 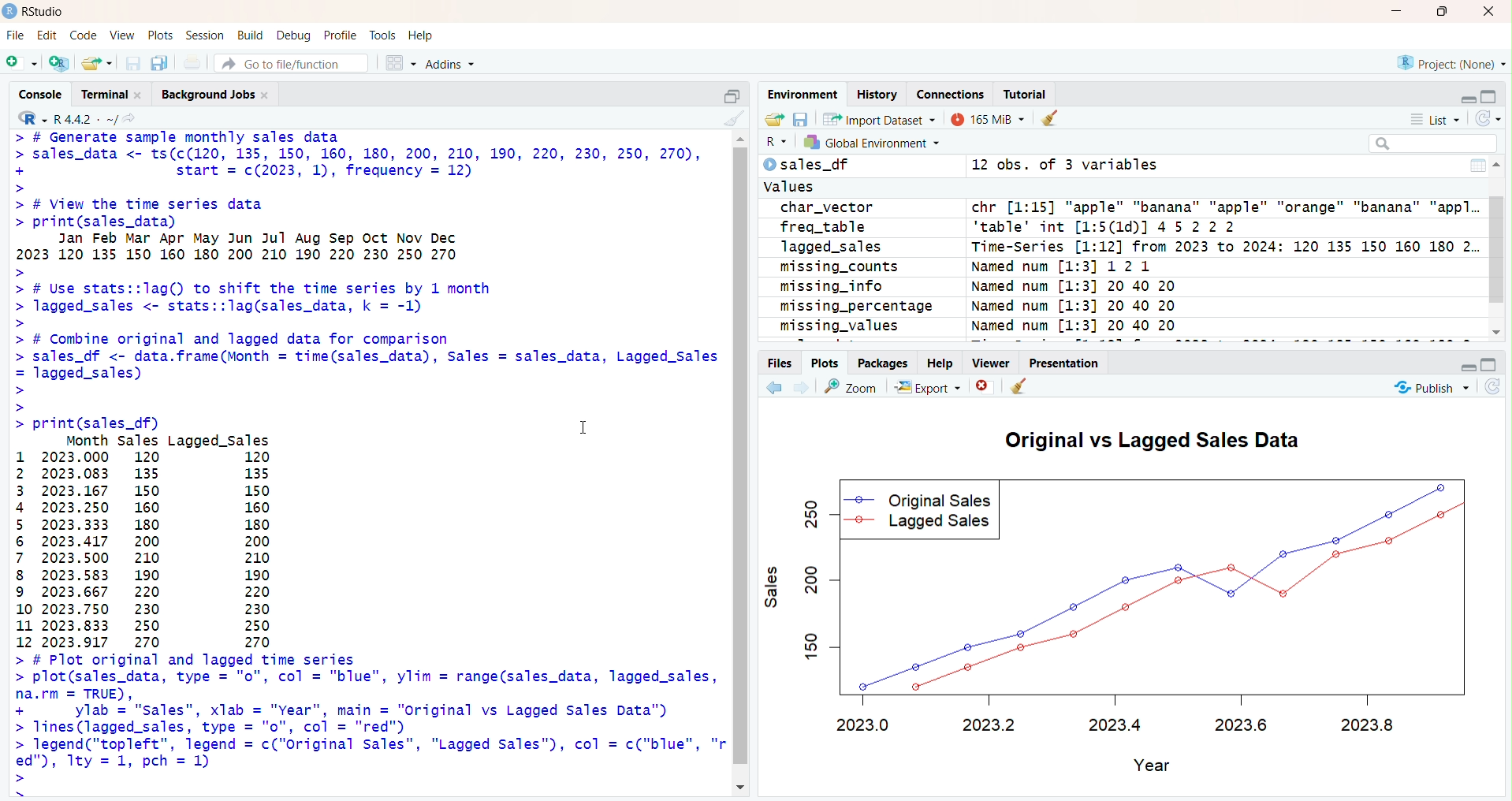 What do you see at coordinates (942, 363) in the screenshot?
I see `help` at bounding box center [942, 363].